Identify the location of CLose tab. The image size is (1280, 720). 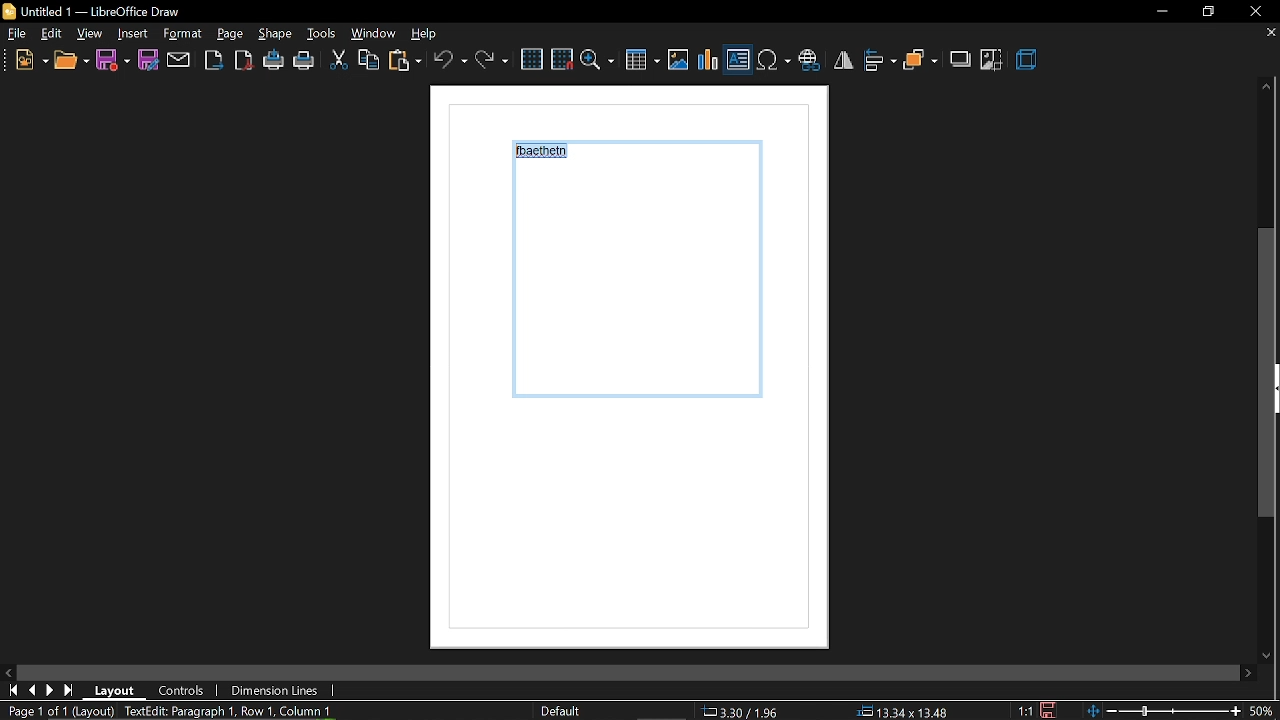
(1270, 33).